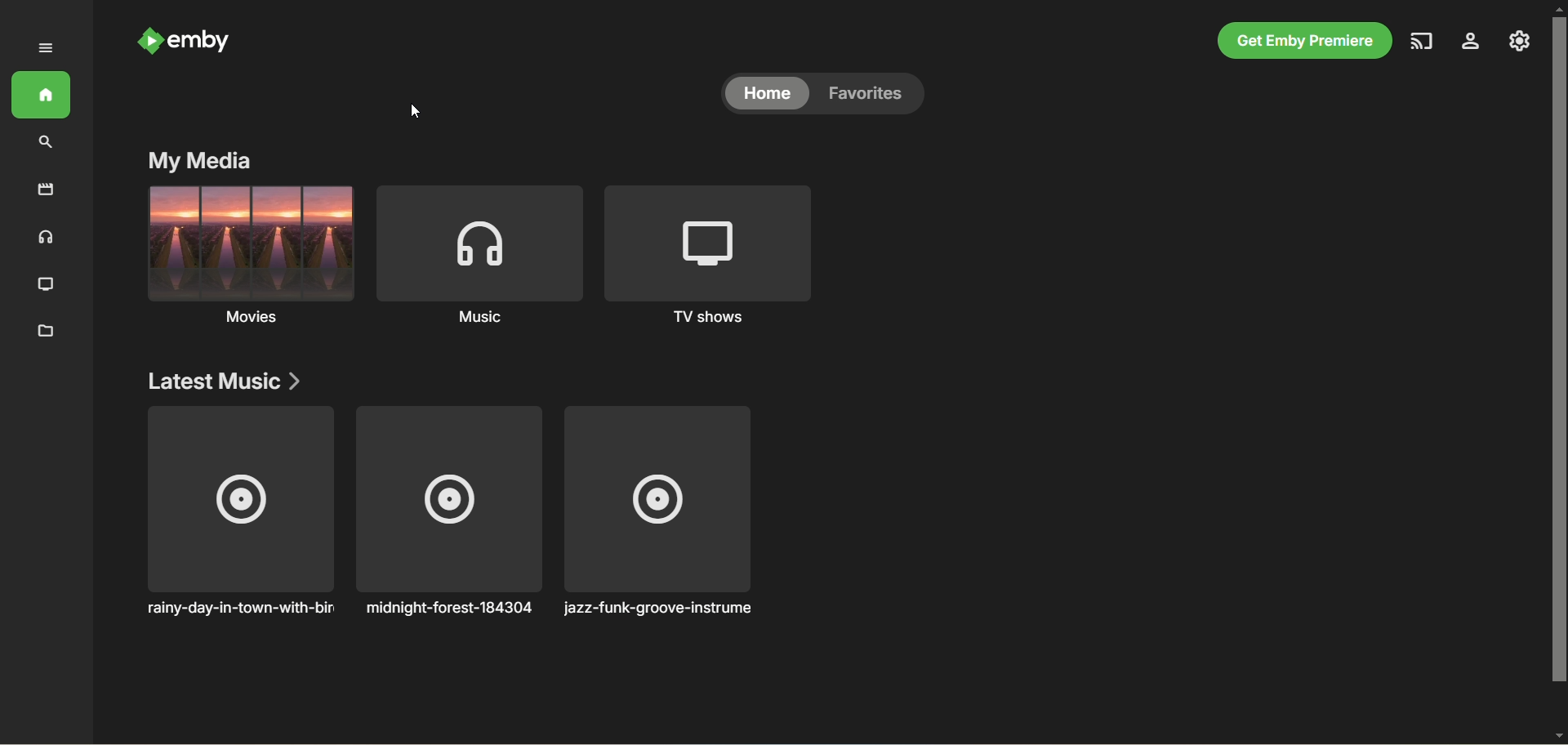  What do you see at coordinates (41, 332) in the screenshot?
I see `metadata manager` at bounding box center [41, 332].